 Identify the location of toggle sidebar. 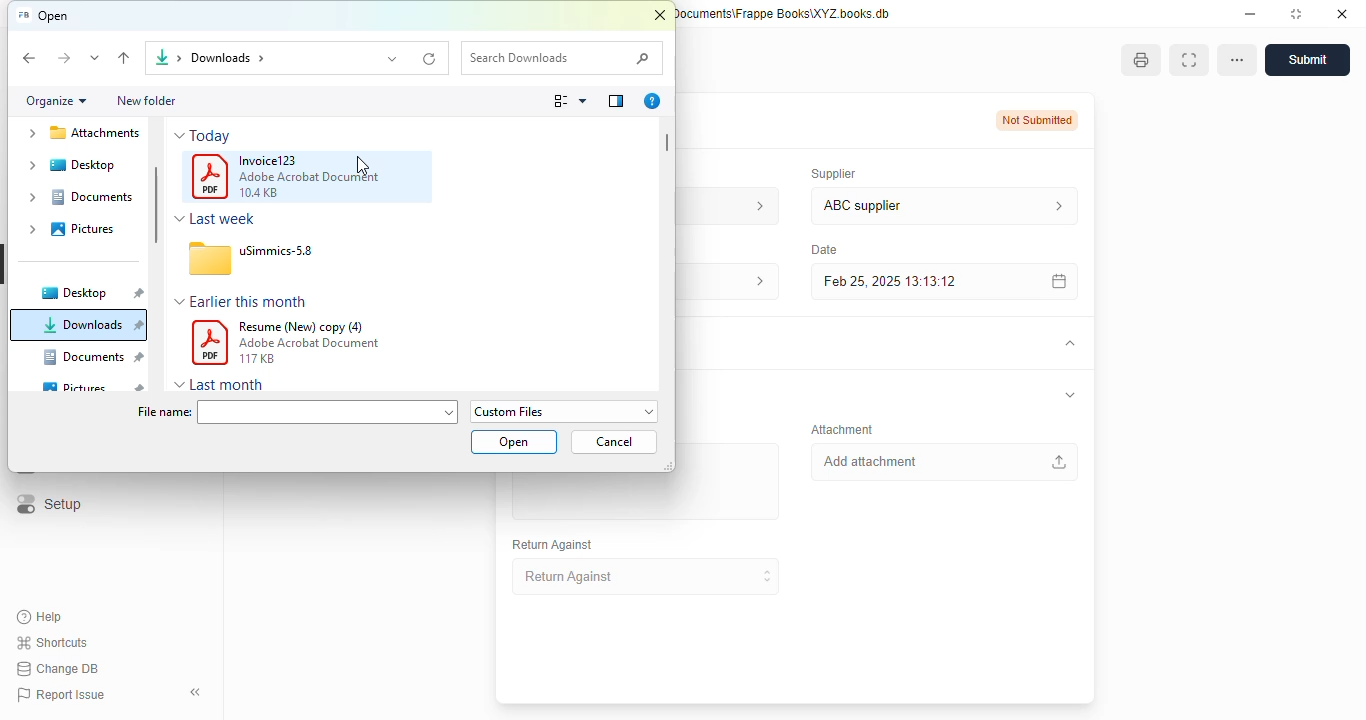
(198, 692).